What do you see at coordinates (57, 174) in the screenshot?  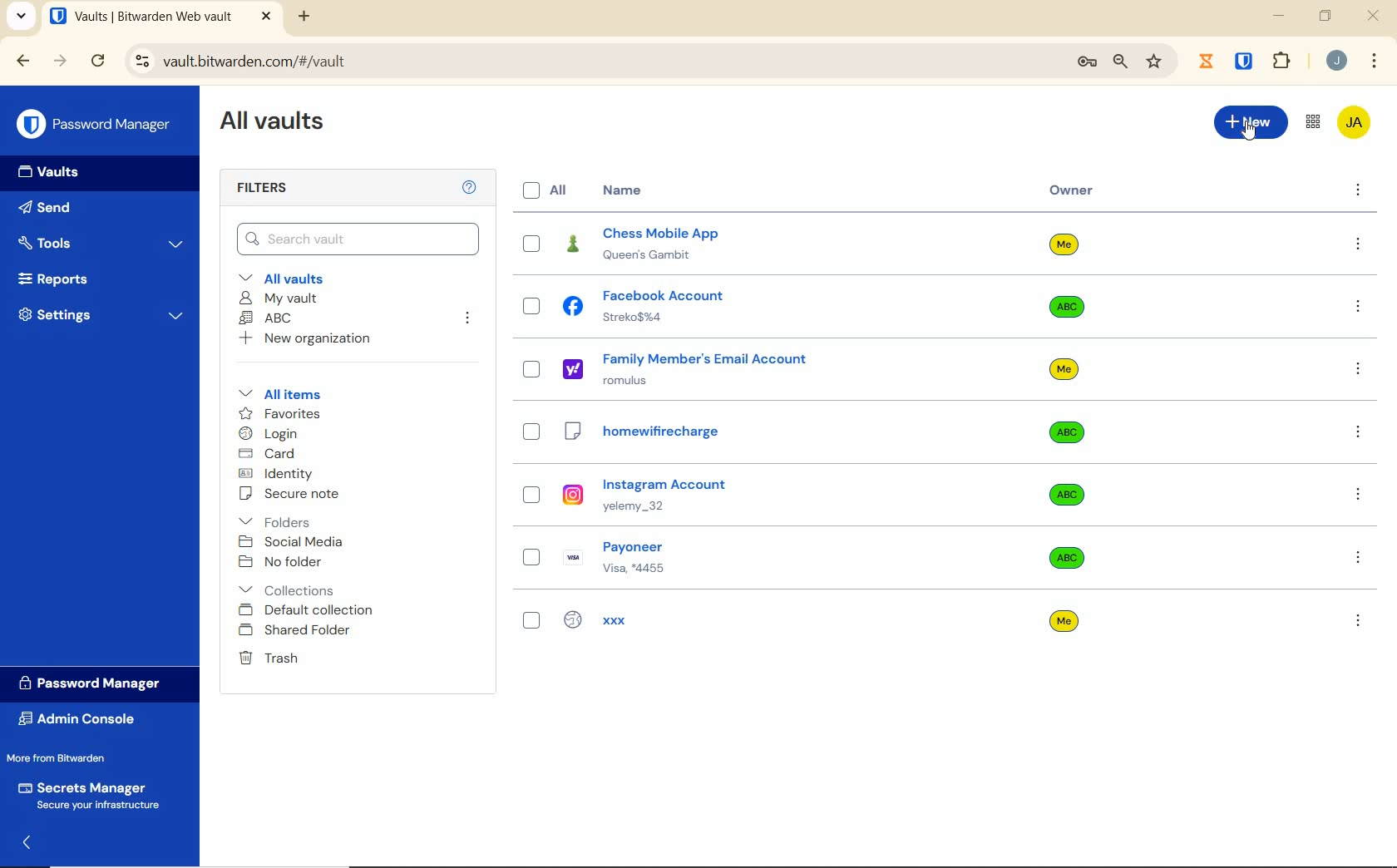 I see `Vaults` at bounding box center [57, 174].